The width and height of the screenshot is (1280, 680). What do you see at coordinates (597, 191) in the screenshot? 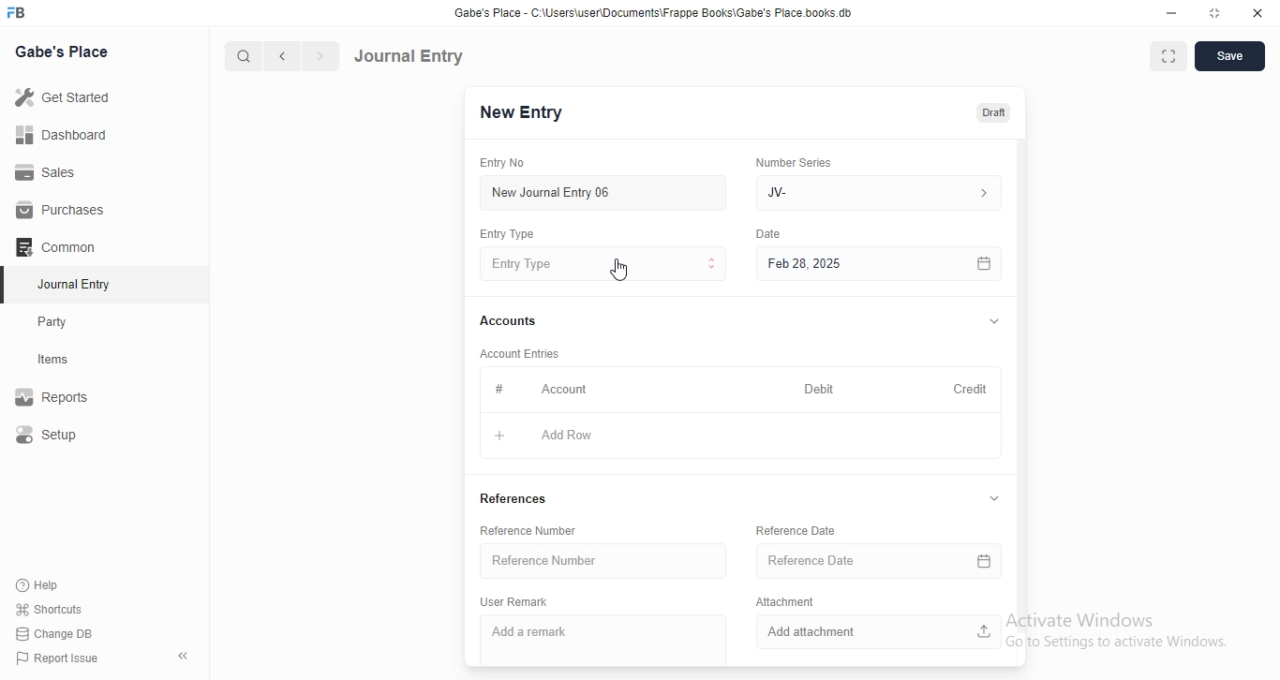
I see `New Journal Entry 06` at bounding box center [597, 191].